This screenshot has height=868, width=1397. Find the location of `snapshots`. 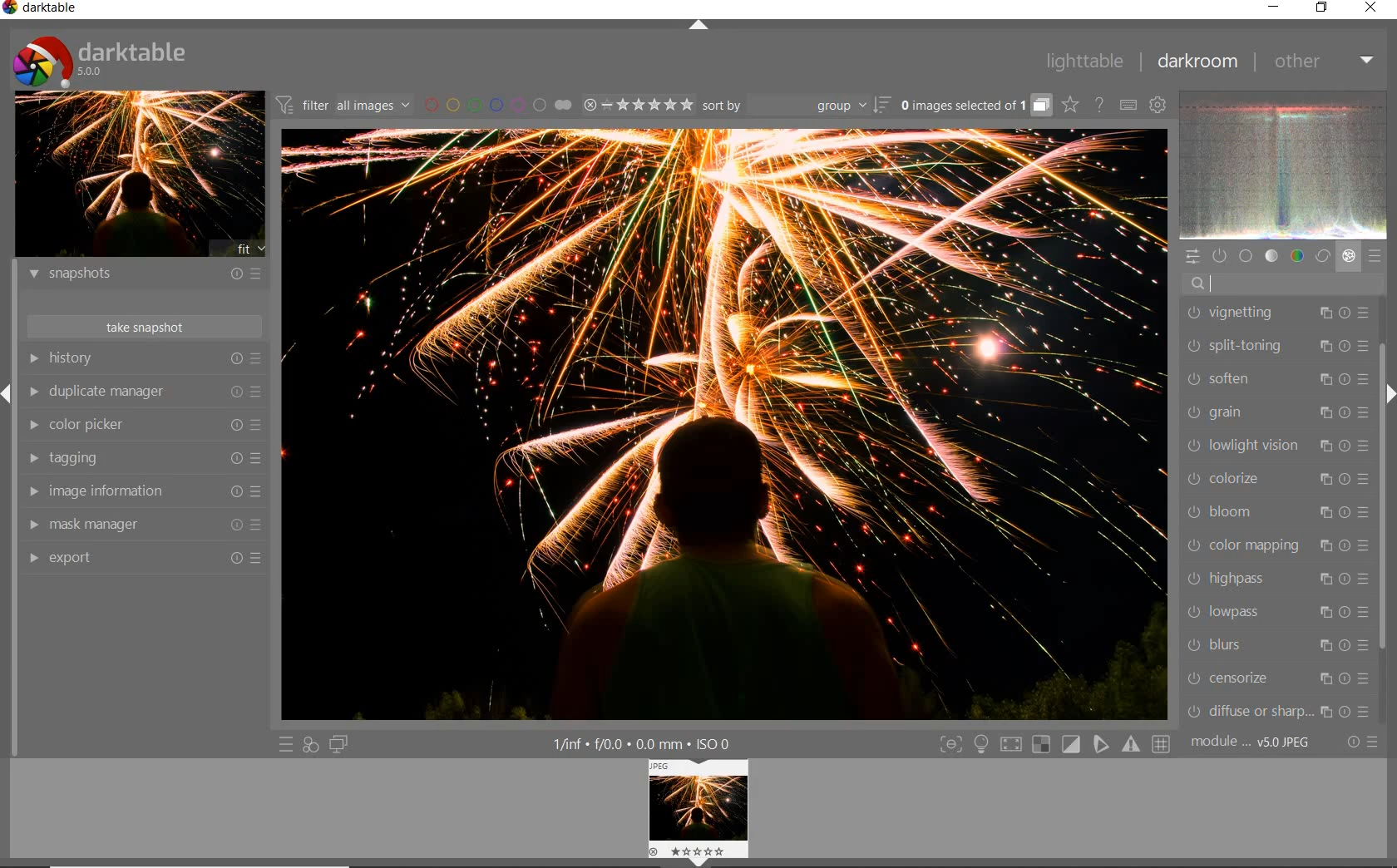

snapshots is located at coordinates (143, 274).